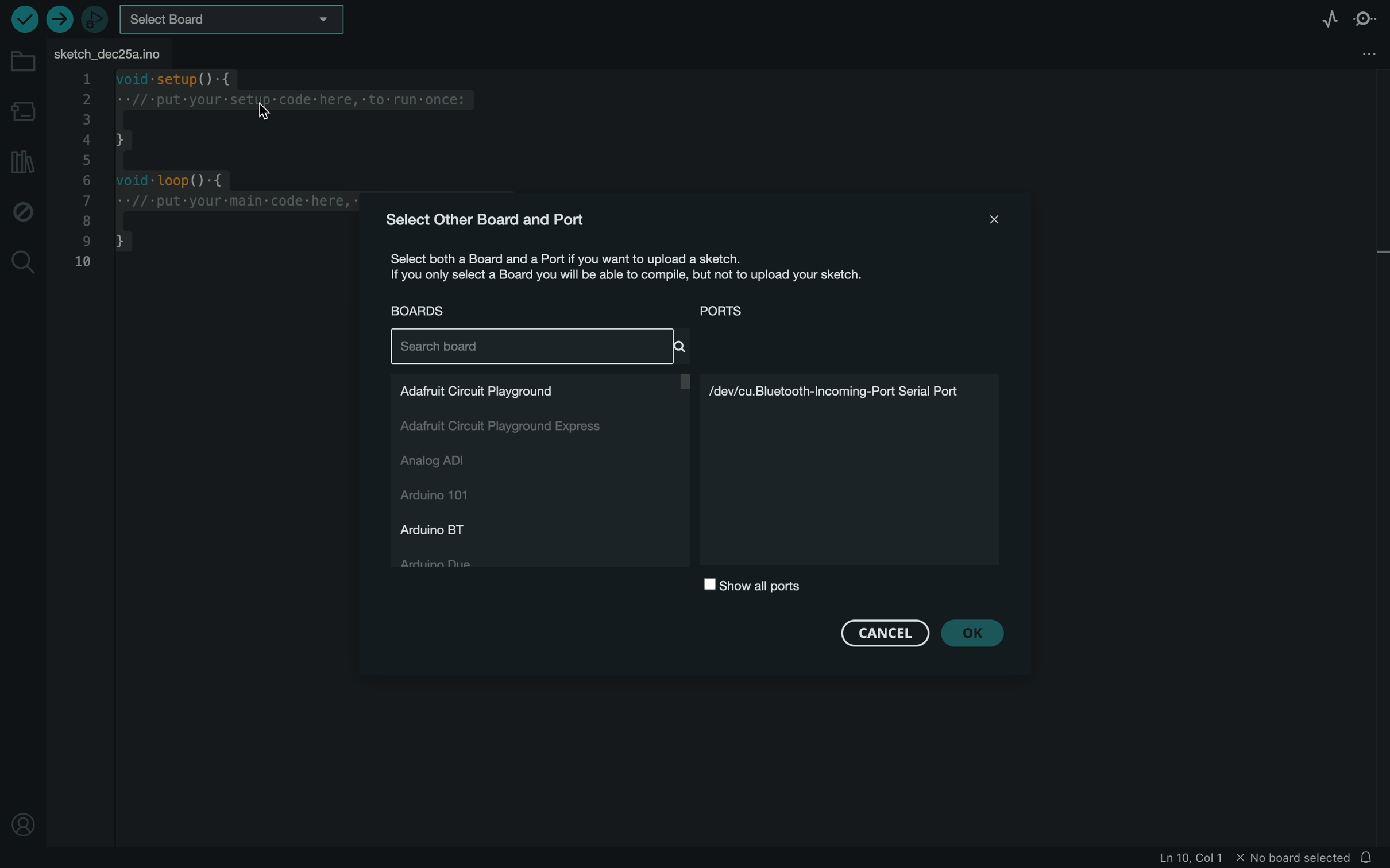 This screenshot has height=868, width=1390. What do you see at coordinates (986, 220) in the screenshot?
I see `close` at bounding box center [986, 220].